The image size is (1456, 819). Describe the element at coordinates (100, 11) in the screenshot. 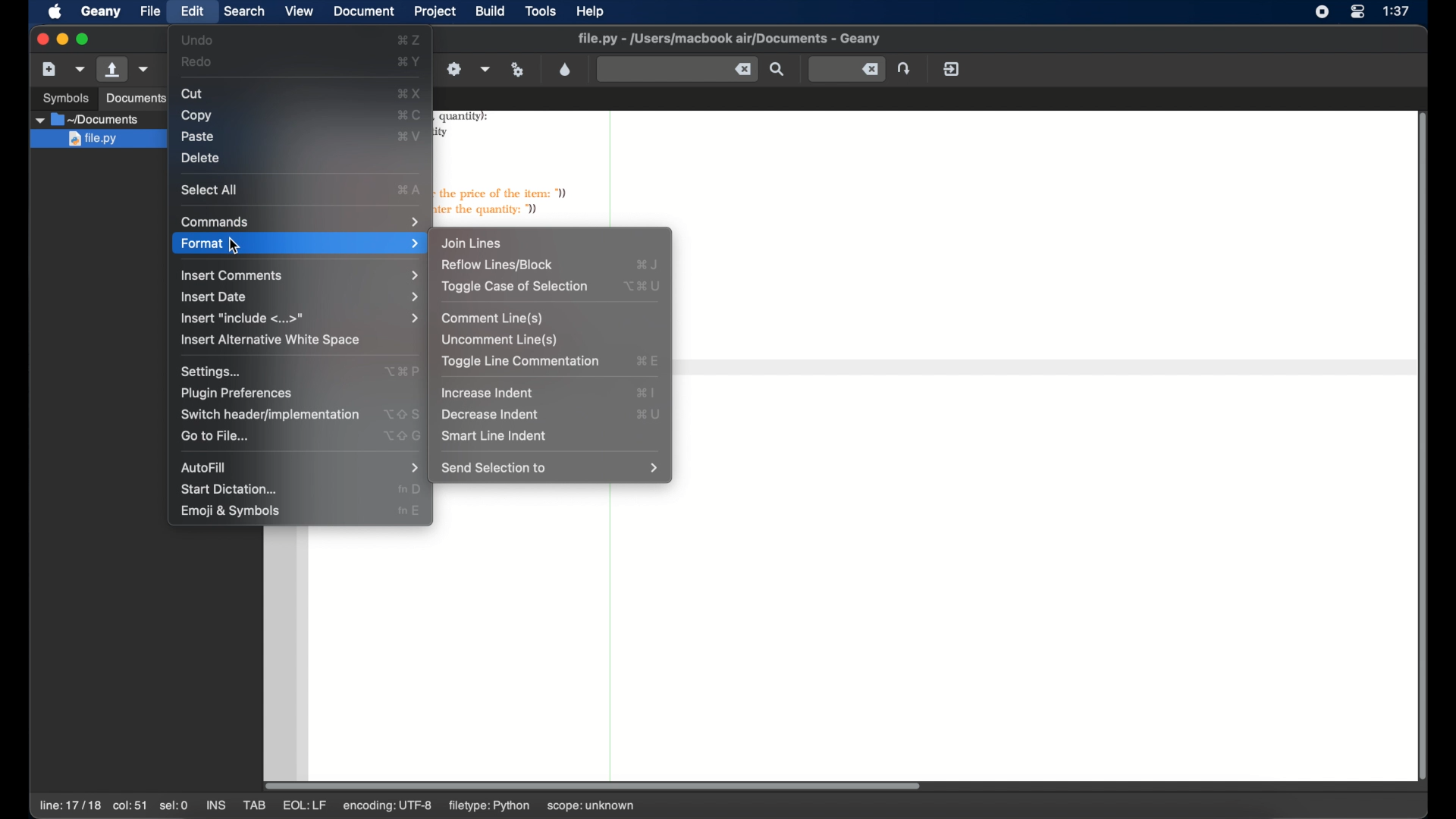

I see `geany` at that location.